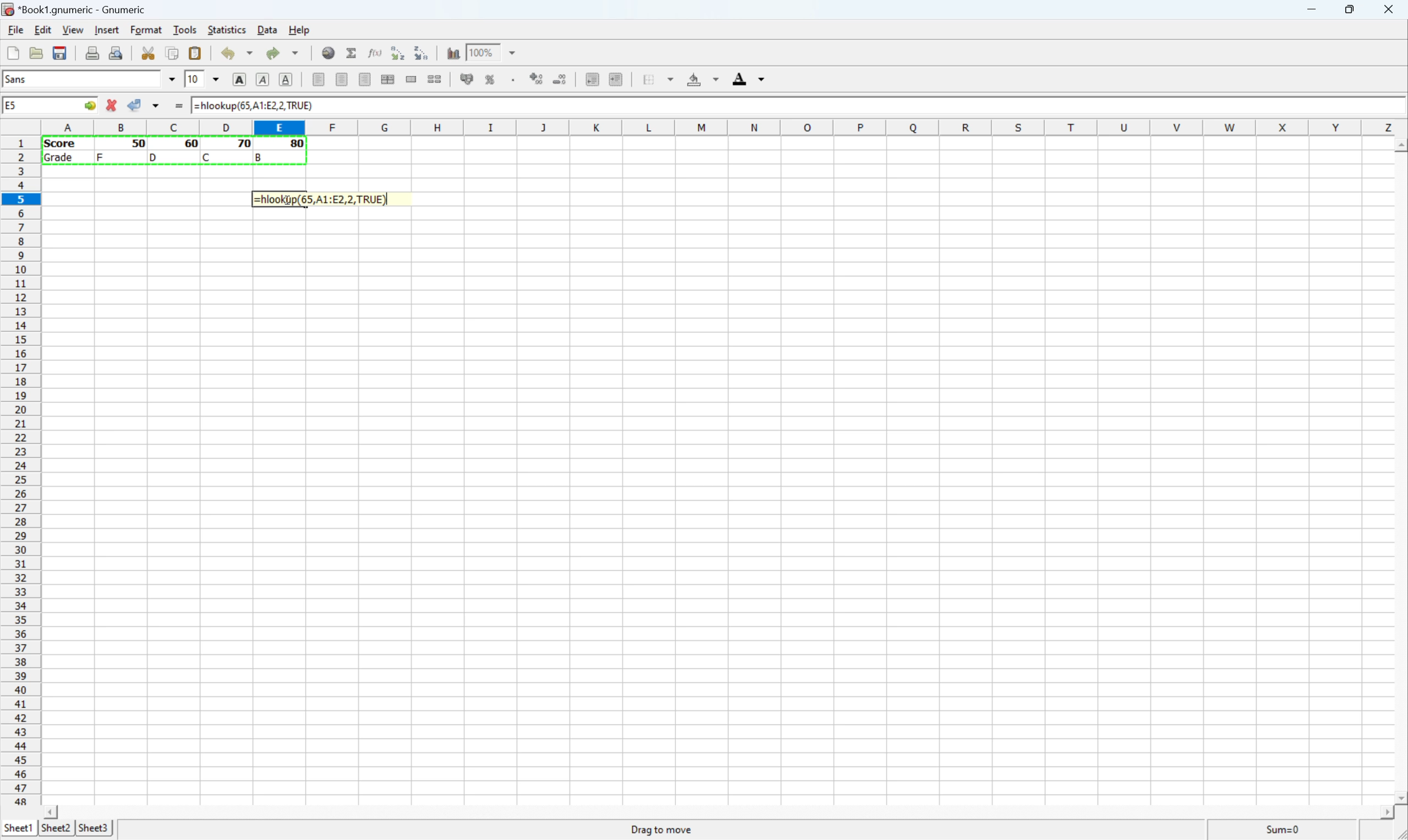 The height and width of the screenshot is (840, 1408). Describe the element at coordinates (184, 28) in the screenshot. I see `Tools` at that location.